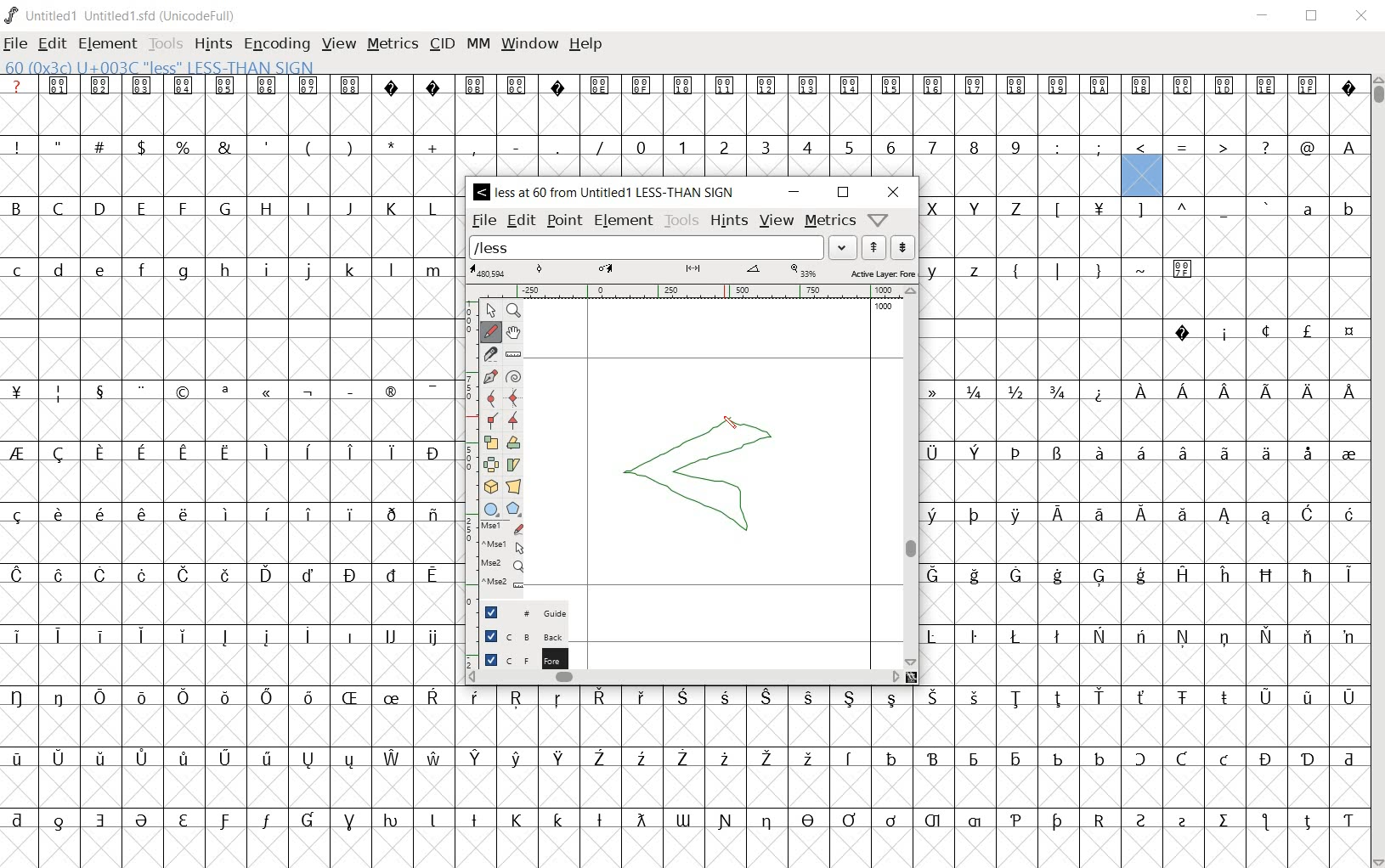  What do you see at coordinates (232, 235) in the screenshot?
I see `empty cells` at bounding box center [232, 235].